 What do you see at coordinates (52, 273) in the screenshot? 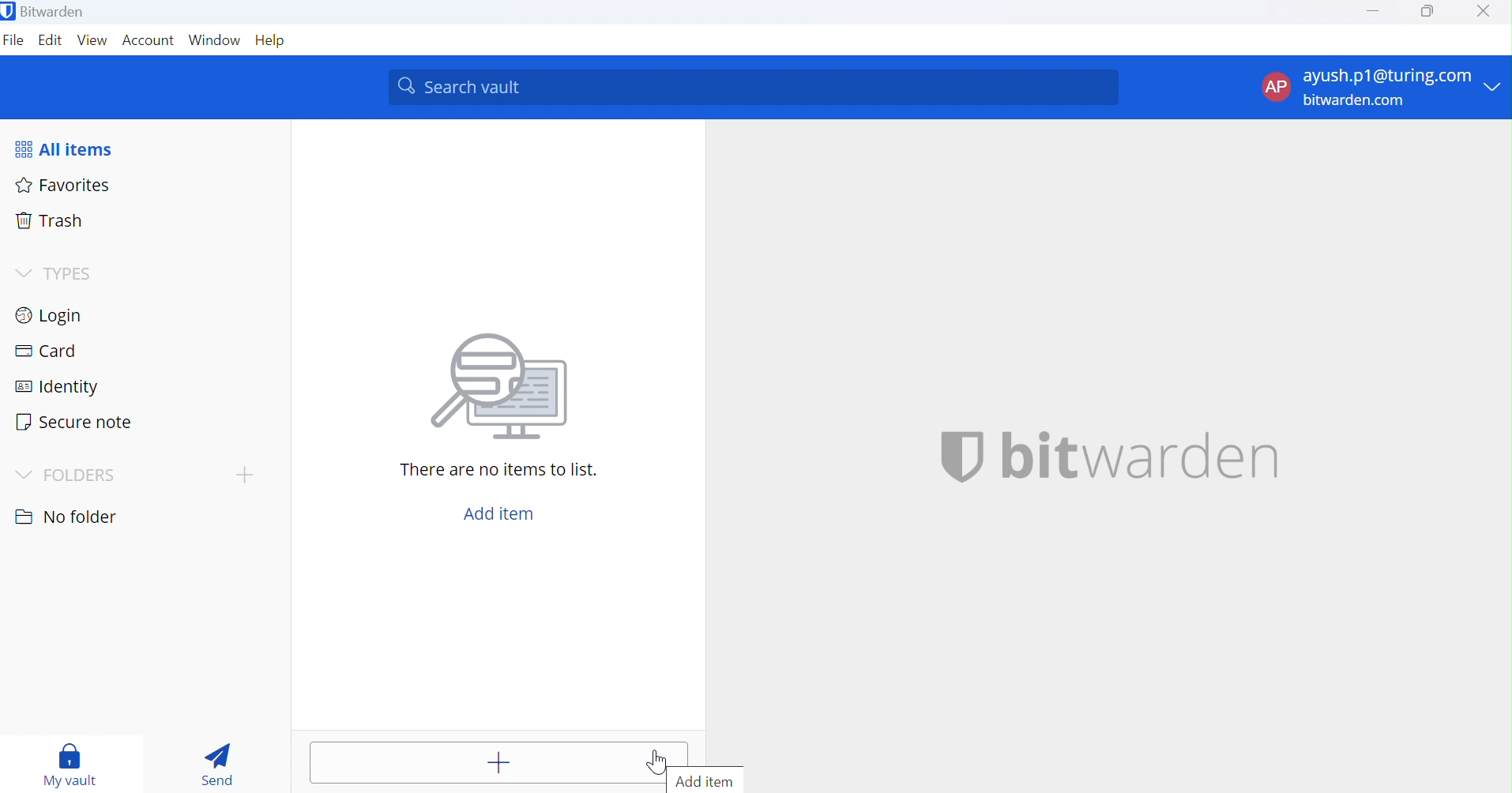
I see `TYPES` at bounding box center [52, 273].